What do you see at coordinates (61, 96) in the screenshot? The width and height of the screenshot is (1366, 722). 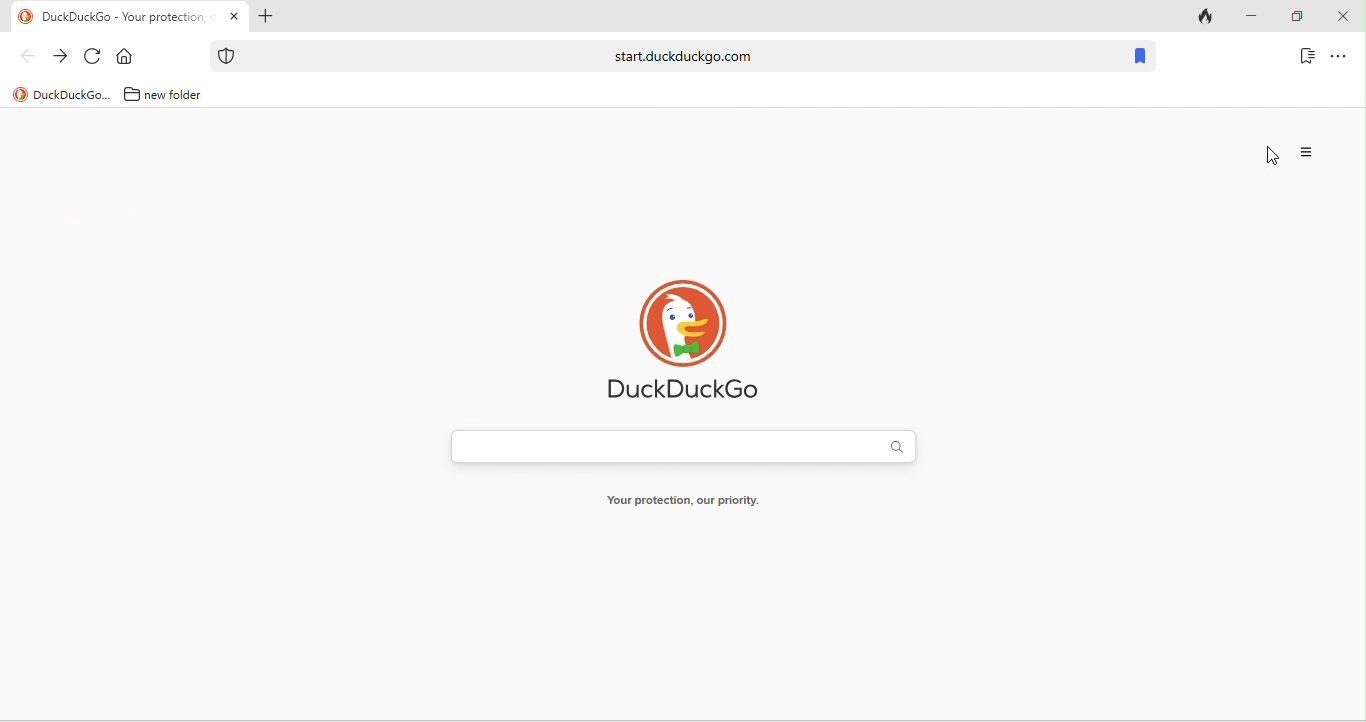 I see `duckduckgo` at bounding box center [61, 96].